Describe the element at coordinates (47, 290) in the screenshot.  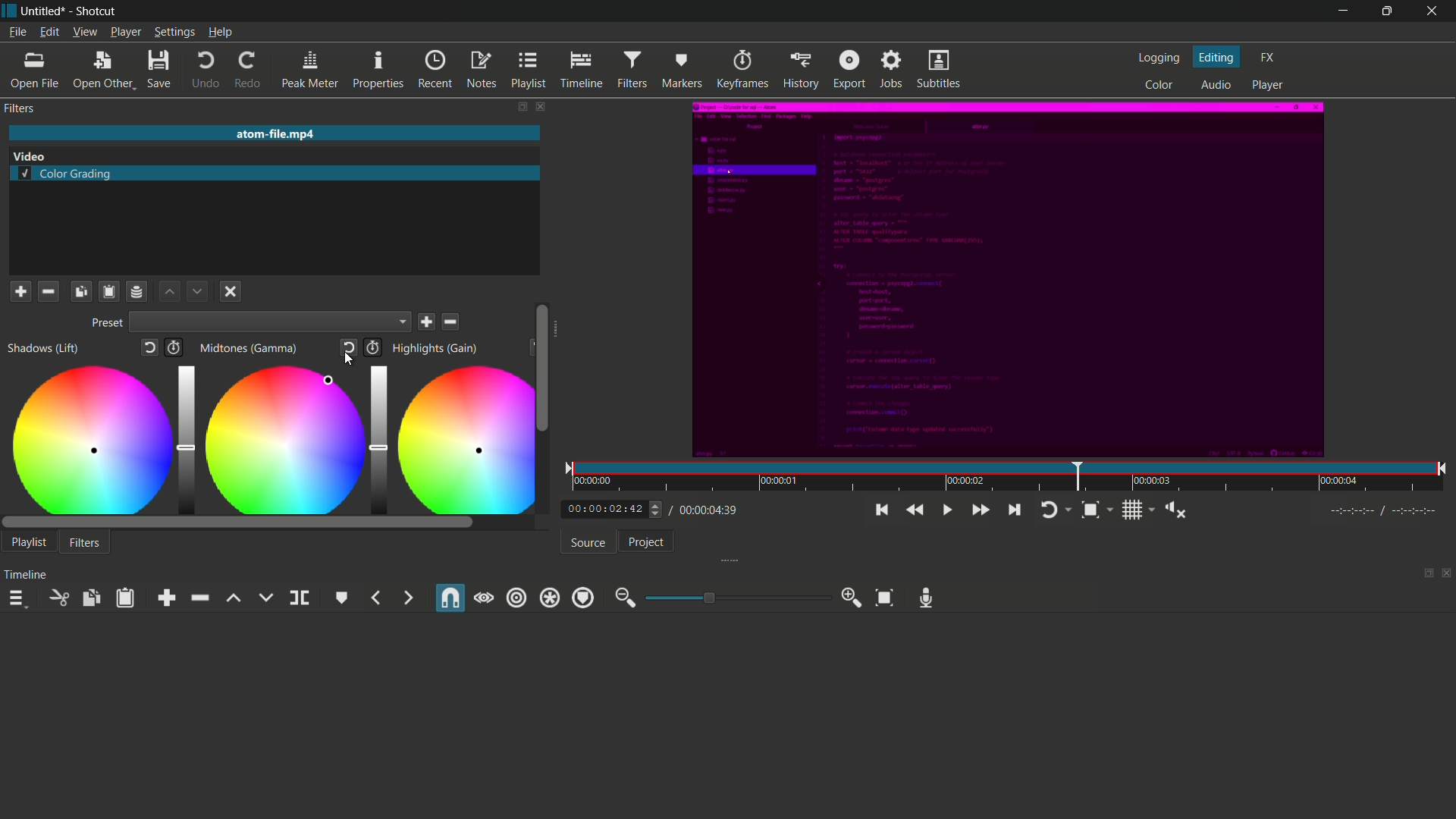
I see `minus` at that location.